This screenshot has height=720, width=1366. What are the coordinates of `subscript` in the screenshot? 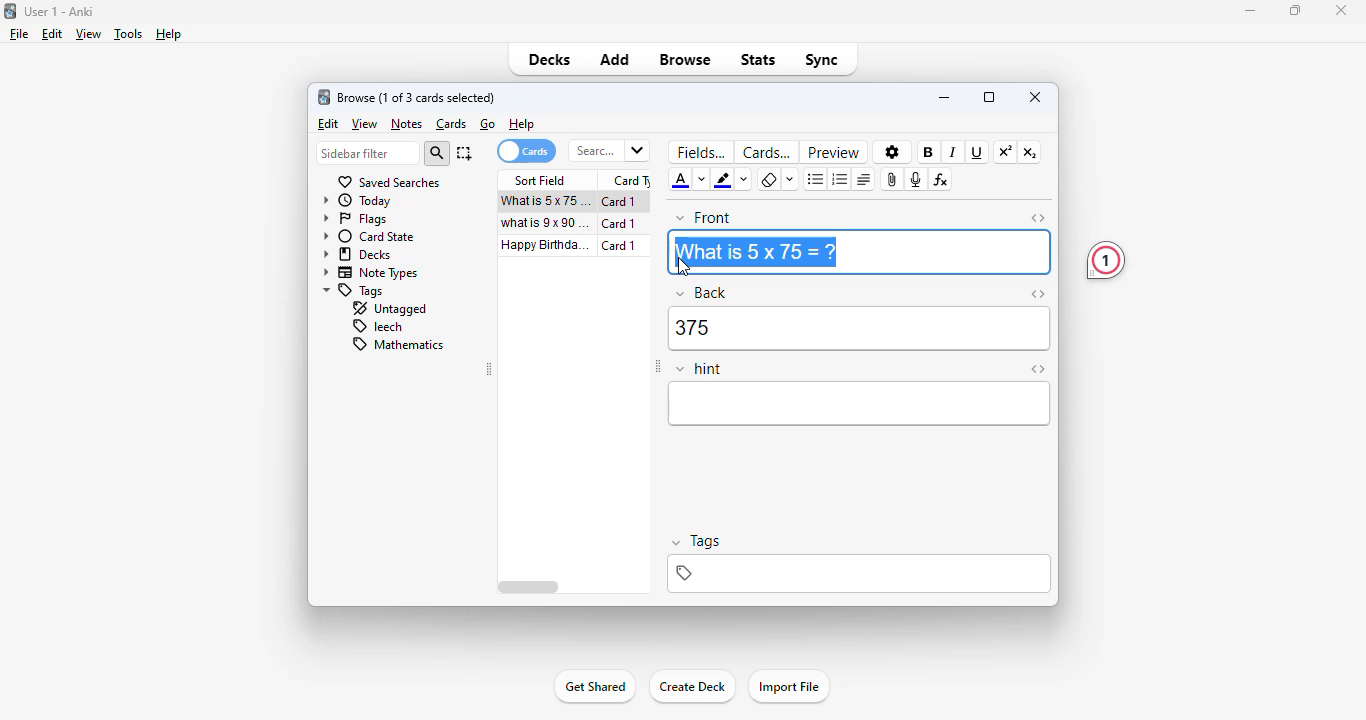 It's located at (1030, 153).